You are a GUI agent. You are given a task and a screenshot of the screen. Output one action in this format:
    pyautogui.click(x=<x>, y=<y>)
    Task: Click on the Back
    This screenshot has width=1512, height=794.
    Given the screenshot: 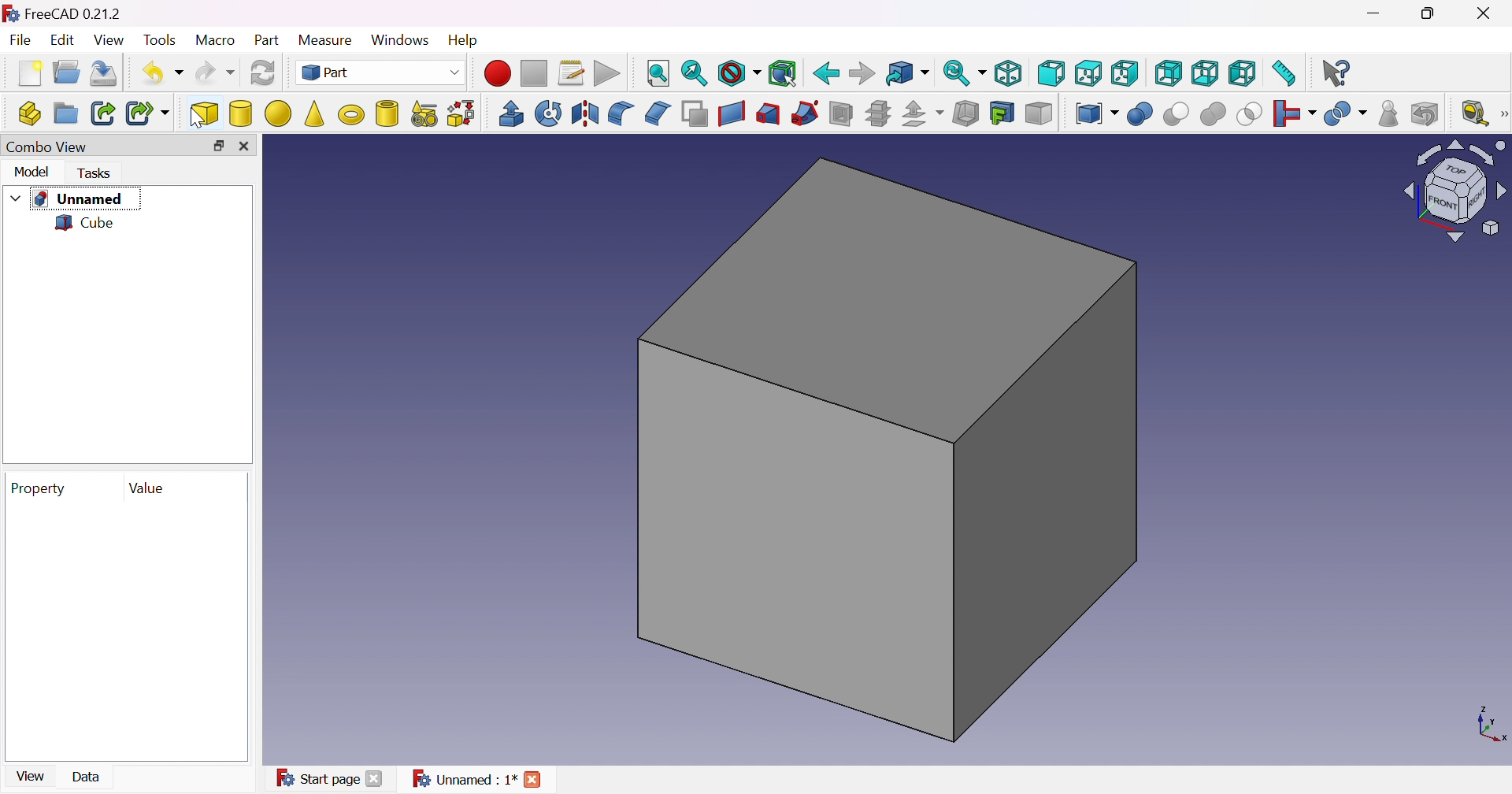 What is the action you would take?
    pyautogui.click(x=826, y=74)
    